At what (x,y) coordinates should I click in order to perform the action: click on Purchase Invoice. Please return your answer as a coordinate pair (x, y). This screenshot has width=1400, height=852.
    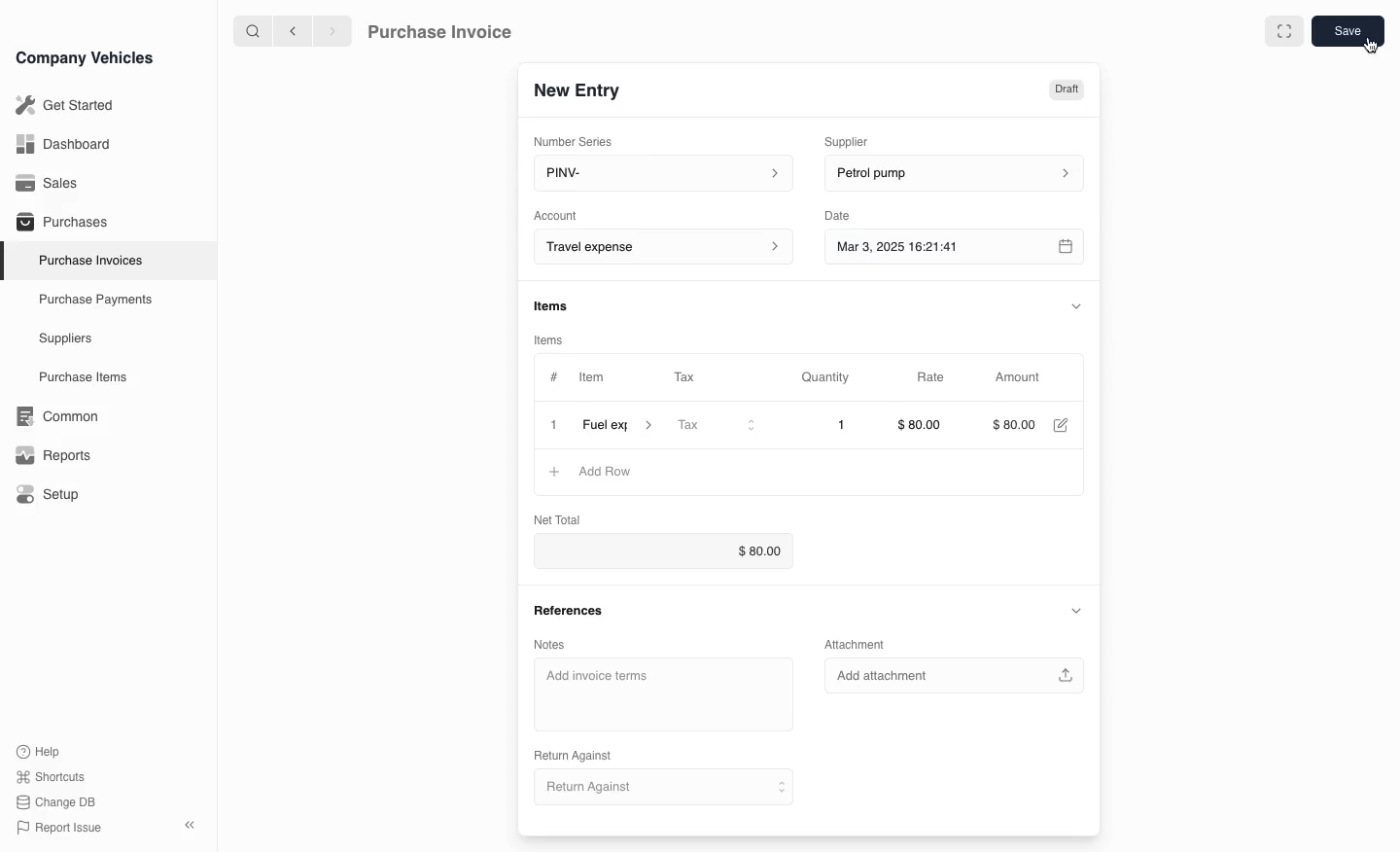
    Looking at the image, I should click on (453, 30).